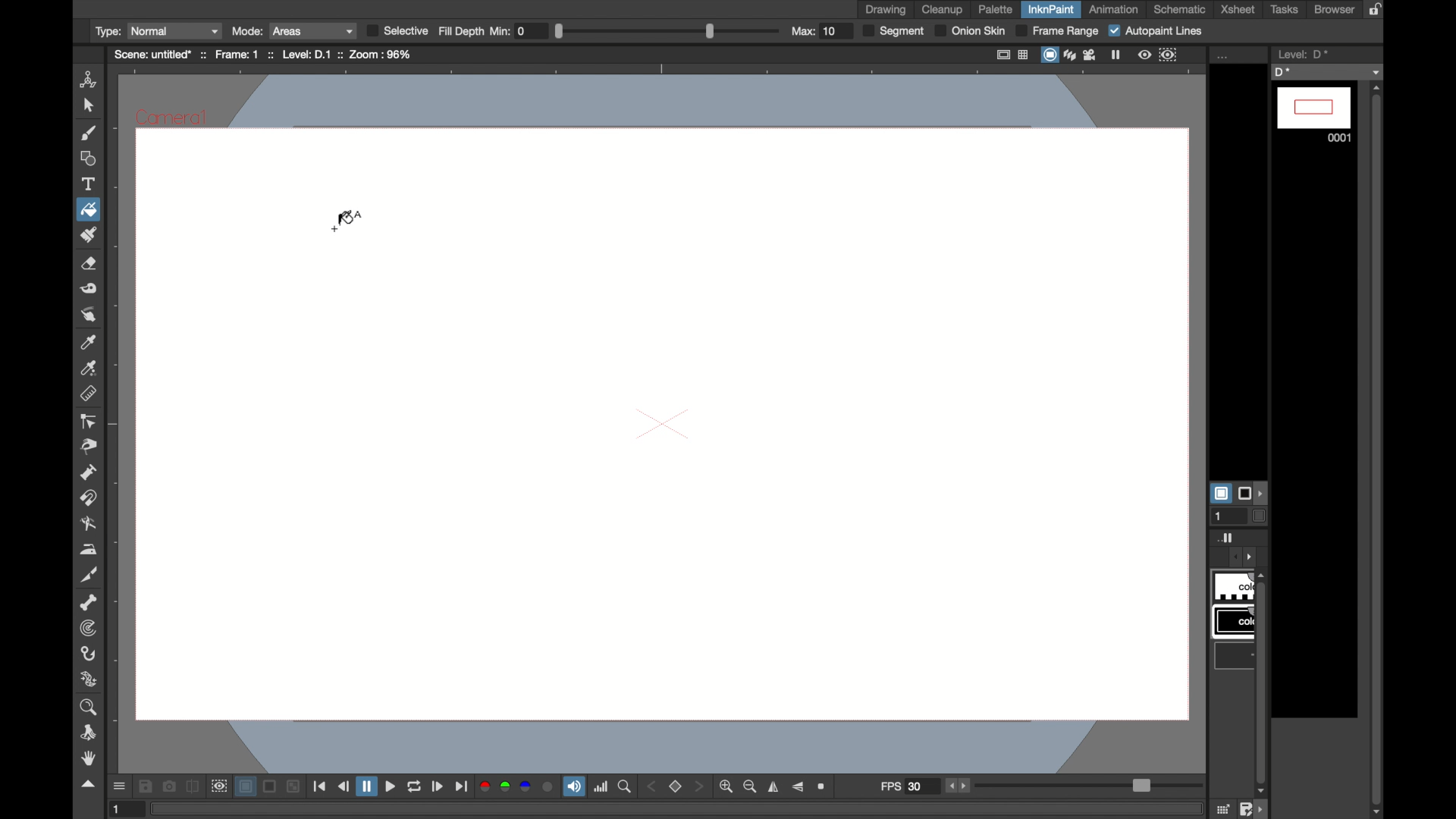  What do you see at coordinates (1283, 10) in the screenshot?
I see `tasks` at bounding box center [1283, 10].